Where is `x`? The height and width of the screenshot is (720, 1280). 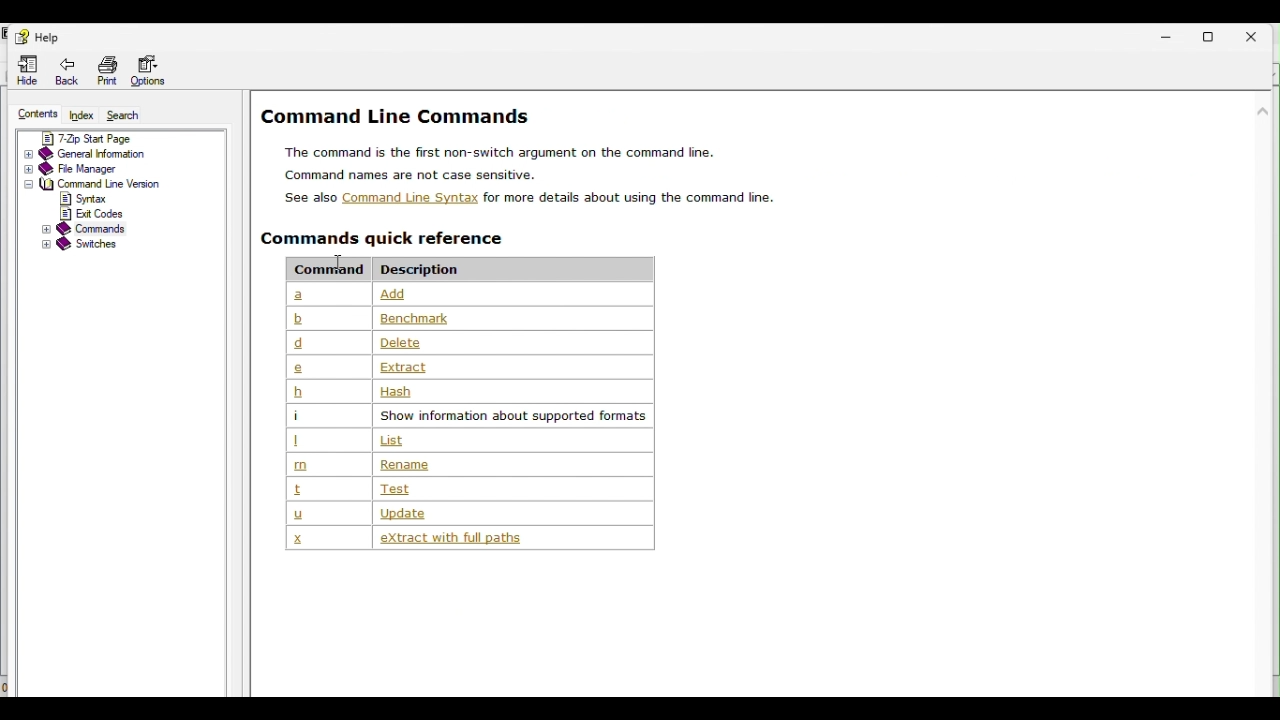 x is located at coordinates (298, 537).